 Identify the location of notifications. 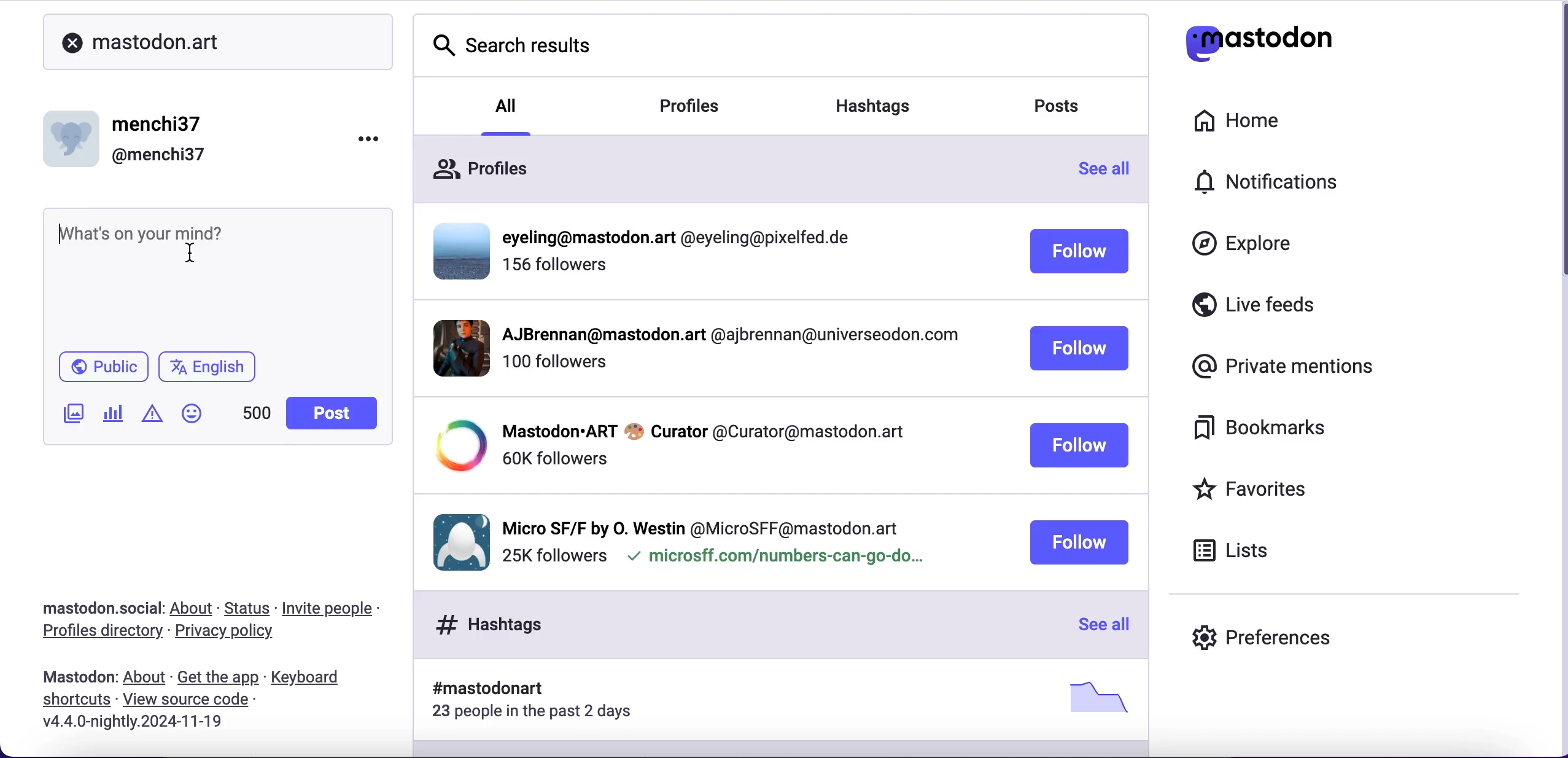
(1263, 182).